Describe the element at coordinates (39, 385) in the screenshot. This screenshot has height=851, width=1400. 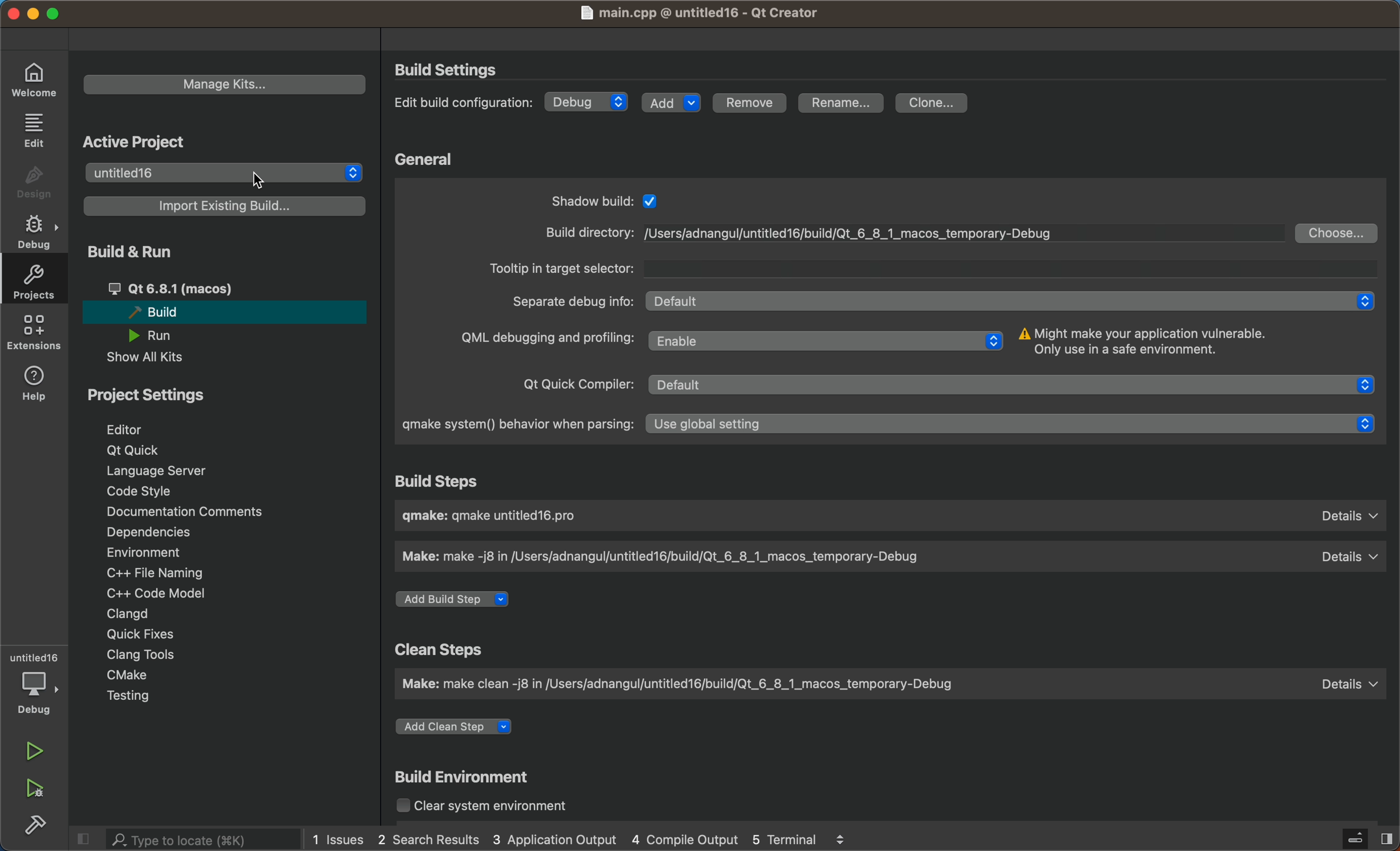
I see `help` at that location.